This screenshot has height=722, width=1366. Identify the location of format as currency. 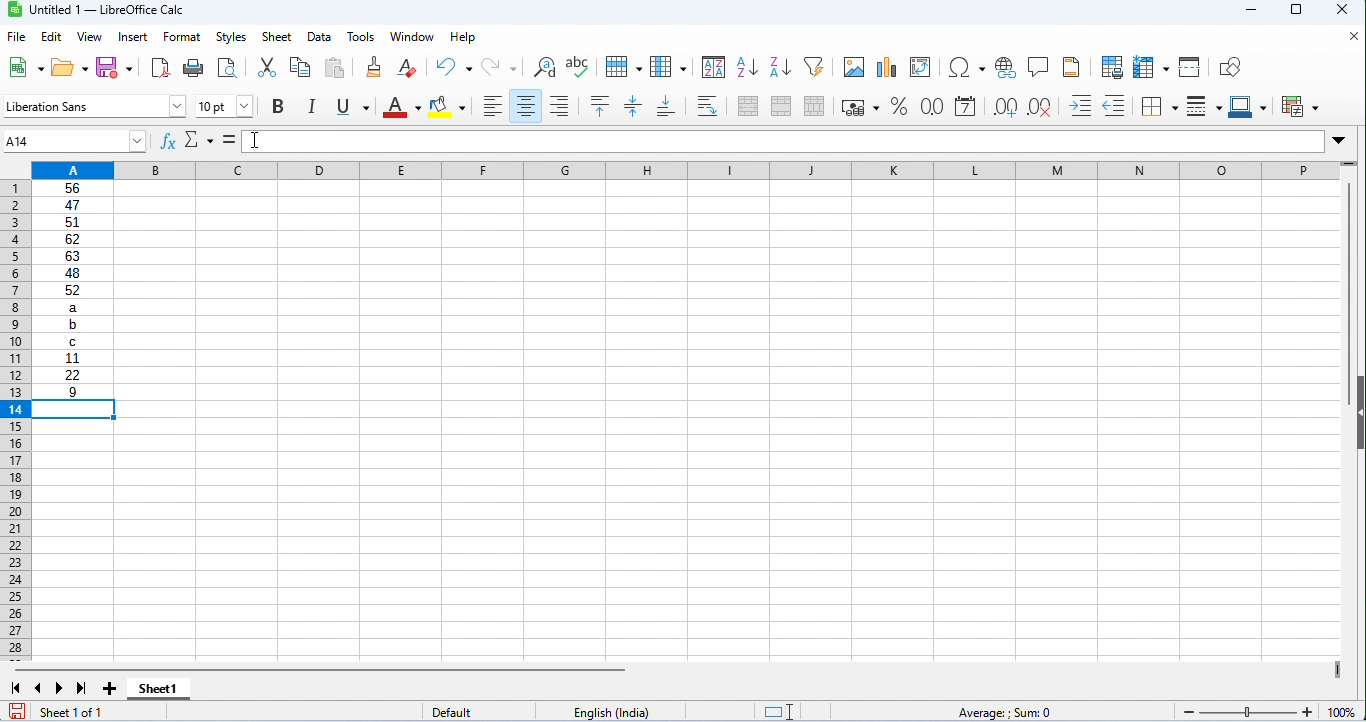
(860, 107).